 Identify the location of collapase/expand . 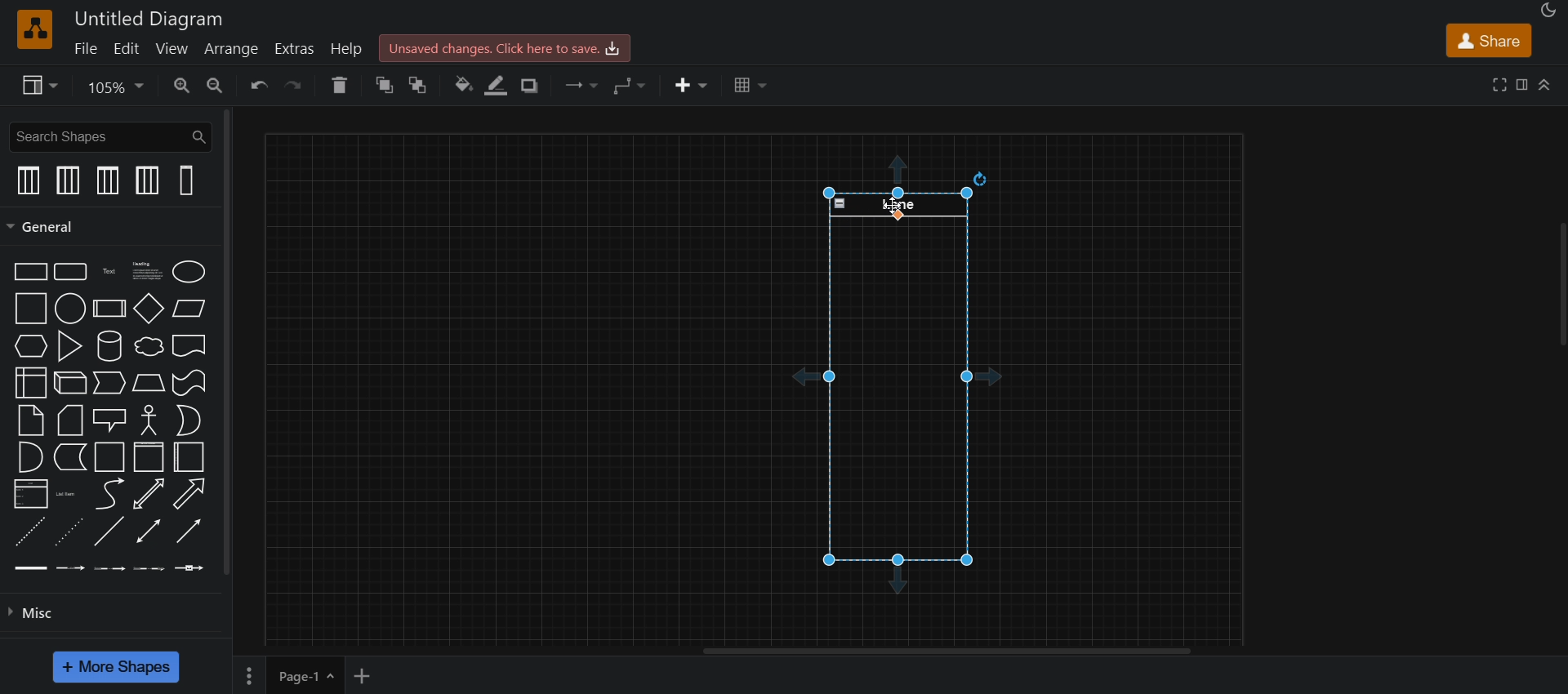
(1547, 81).